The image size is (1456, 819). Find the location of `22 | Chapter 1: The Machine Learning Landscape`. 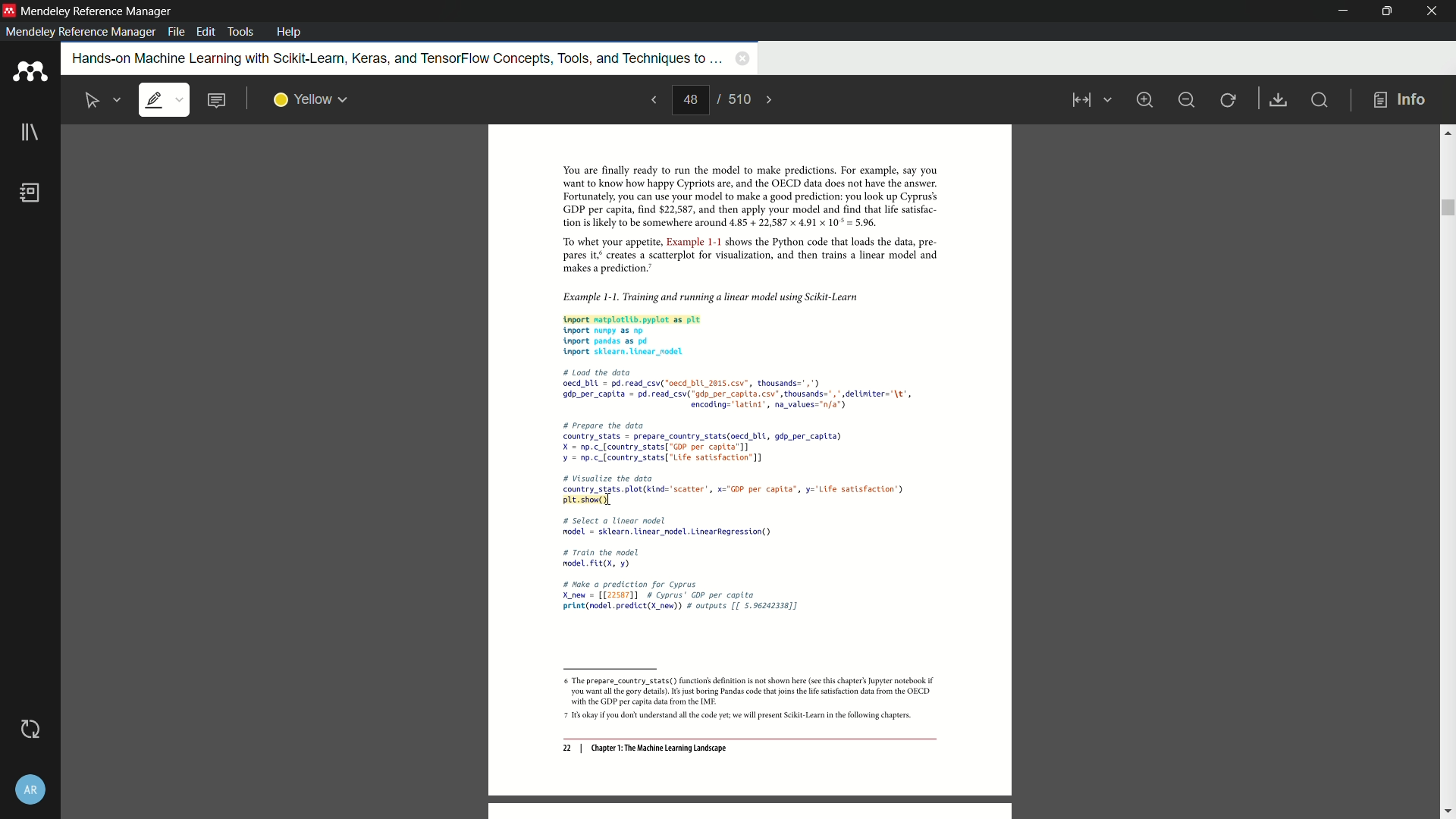

22 | Chapter 1: The Machine Learning Landscape is located at coordinates (645, 749).